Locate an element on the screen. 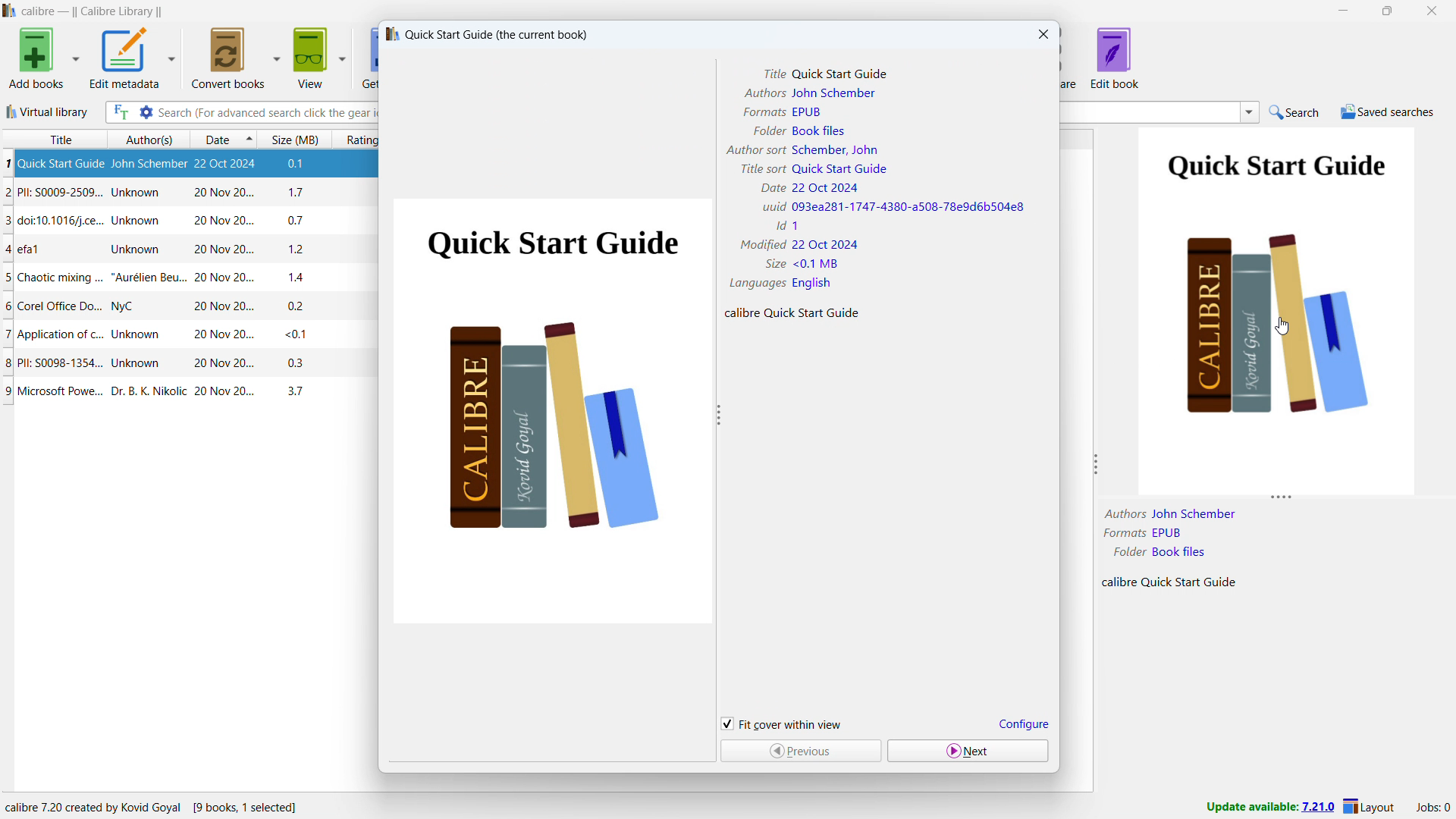 The height and width of the screenshot is (819, 1456). 20 Nov 20.. is located at coordinates (223, 393).